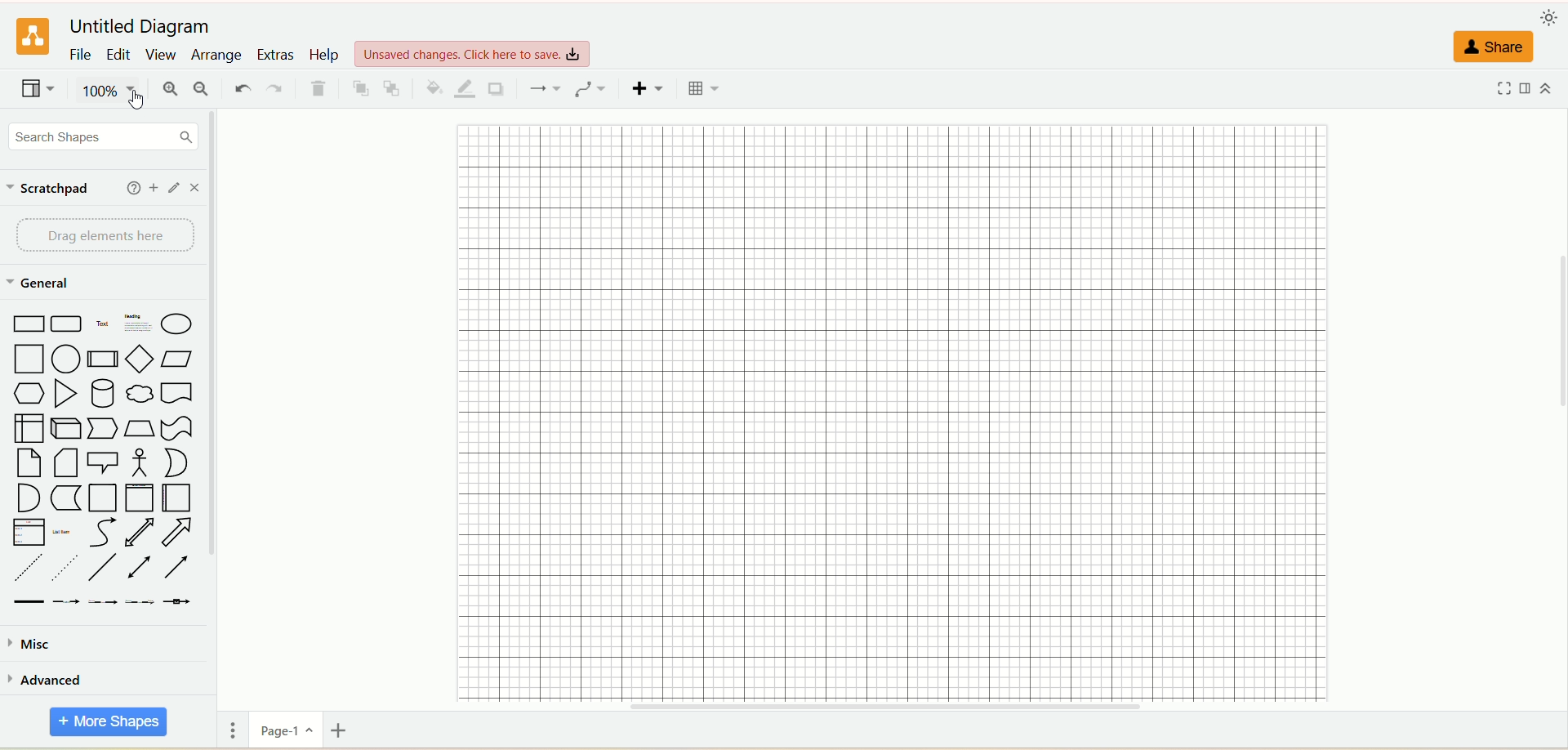 Image resolution: width=1568 pixels, height=750 pixels. What do you see at coordinates (1552, 16) in the screenshot?
I see `appearance` at bounding box center [1552, 16].